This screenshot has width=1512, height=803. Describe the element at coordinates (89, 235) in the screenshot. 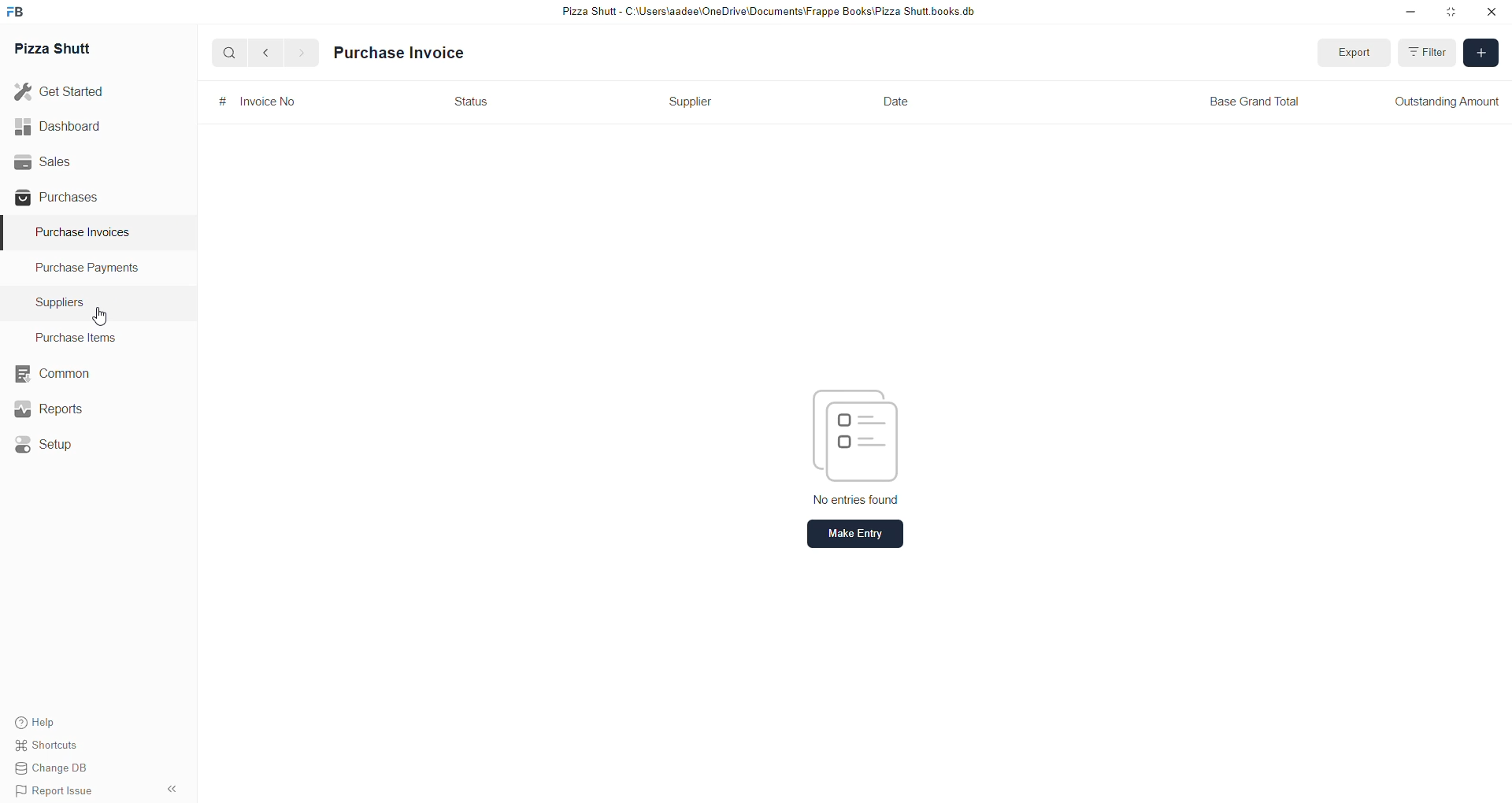

I see `Purchase Invoices` at that location.